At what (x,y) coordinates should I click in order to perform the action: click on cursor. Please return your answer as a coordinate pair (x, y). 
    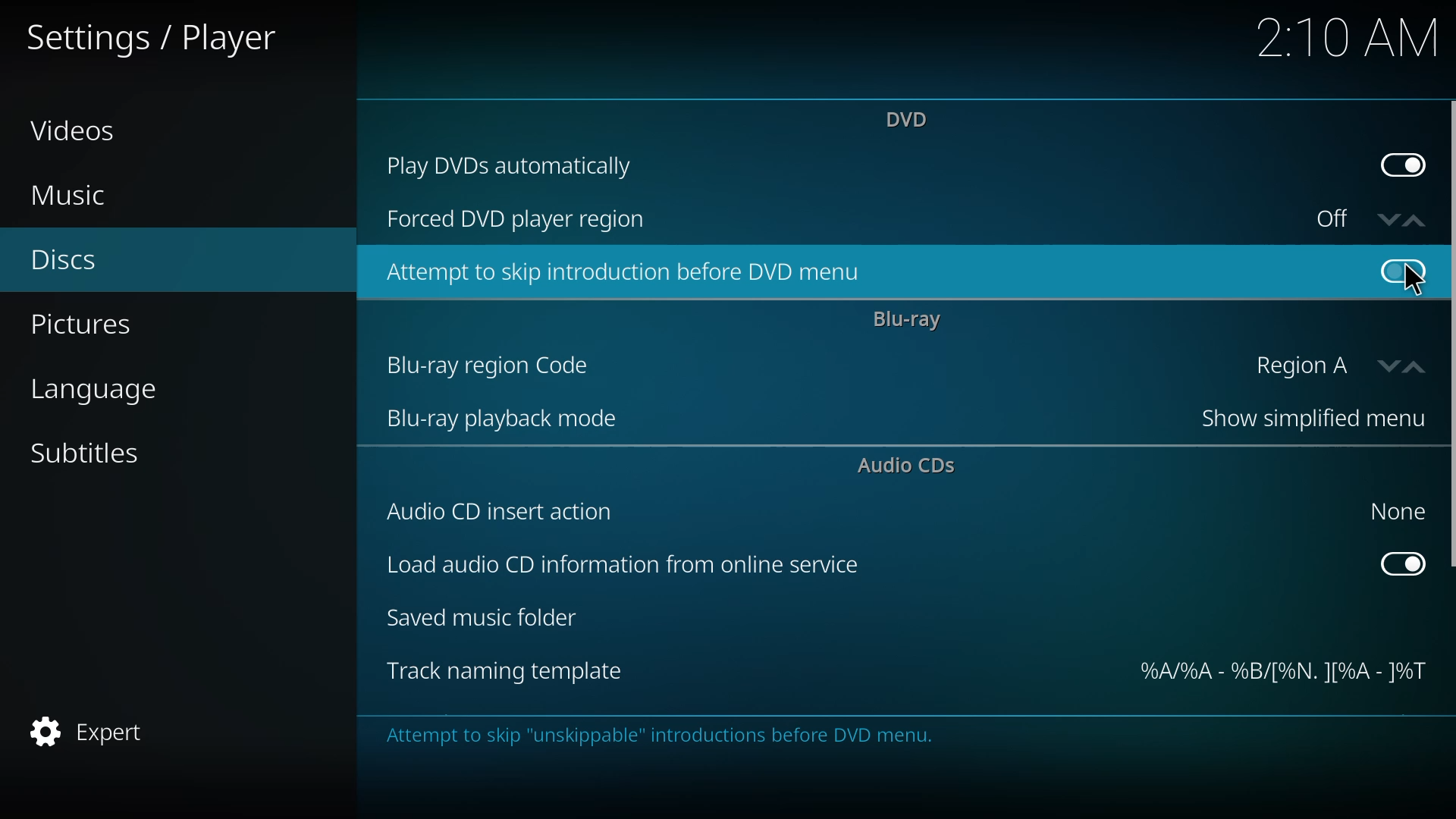
    Looking at the image, I should click on (1414, 281).